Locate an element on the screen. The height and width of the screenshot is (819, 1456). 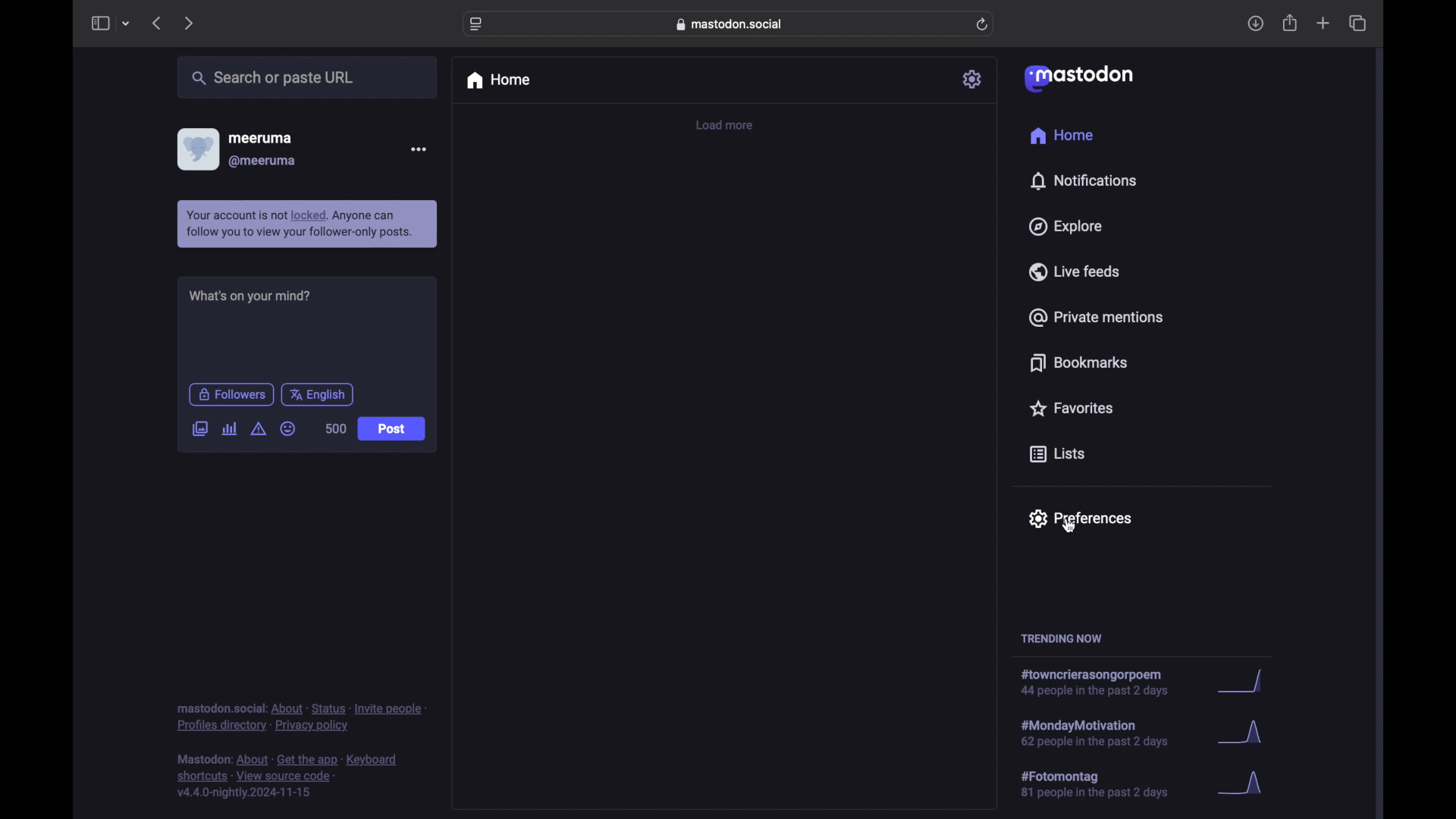
mastodon is located at coordinates (1079, 79).